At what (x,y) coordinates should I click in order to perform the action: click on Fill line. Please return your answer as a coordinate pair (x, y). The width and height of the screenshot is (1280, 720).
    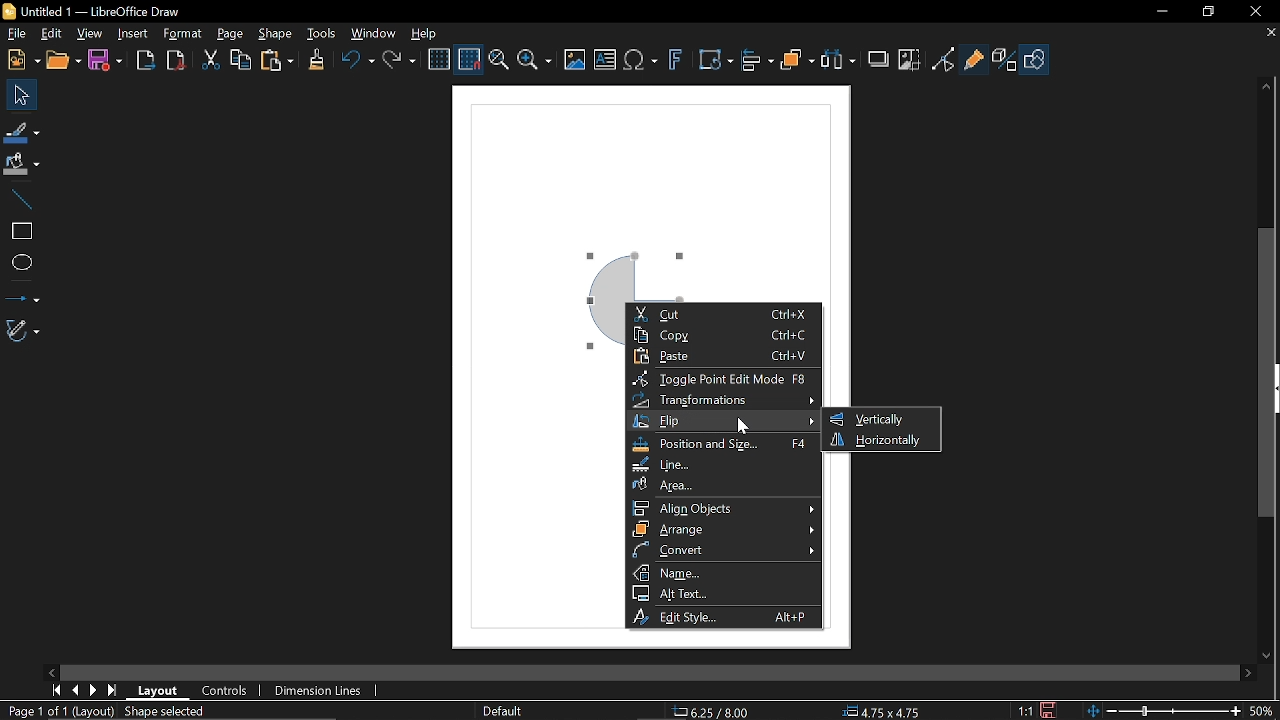
    Looking at the image, I should click on (23, 132).